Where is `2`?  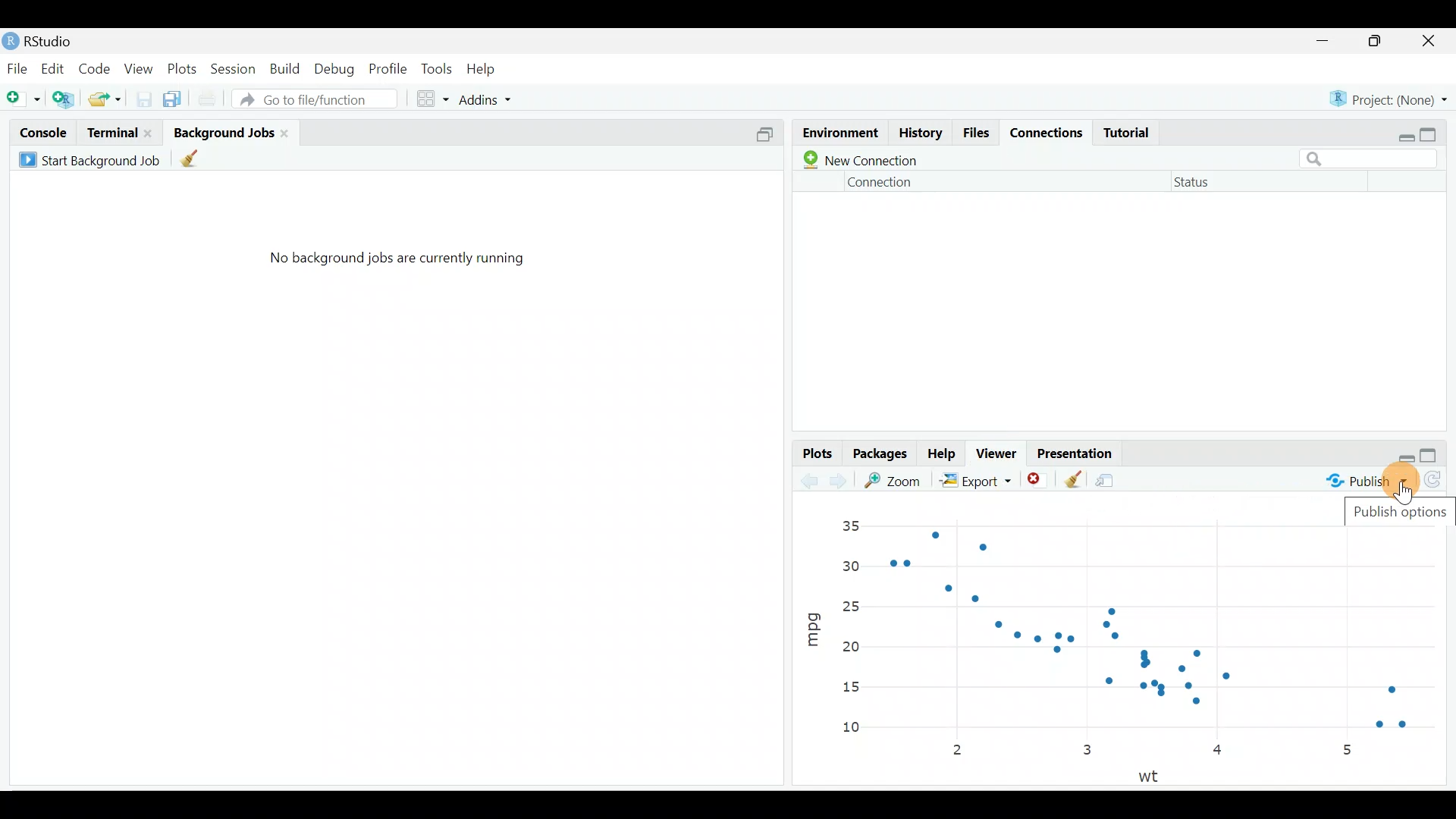 2 is located at coordinates (961, 752).